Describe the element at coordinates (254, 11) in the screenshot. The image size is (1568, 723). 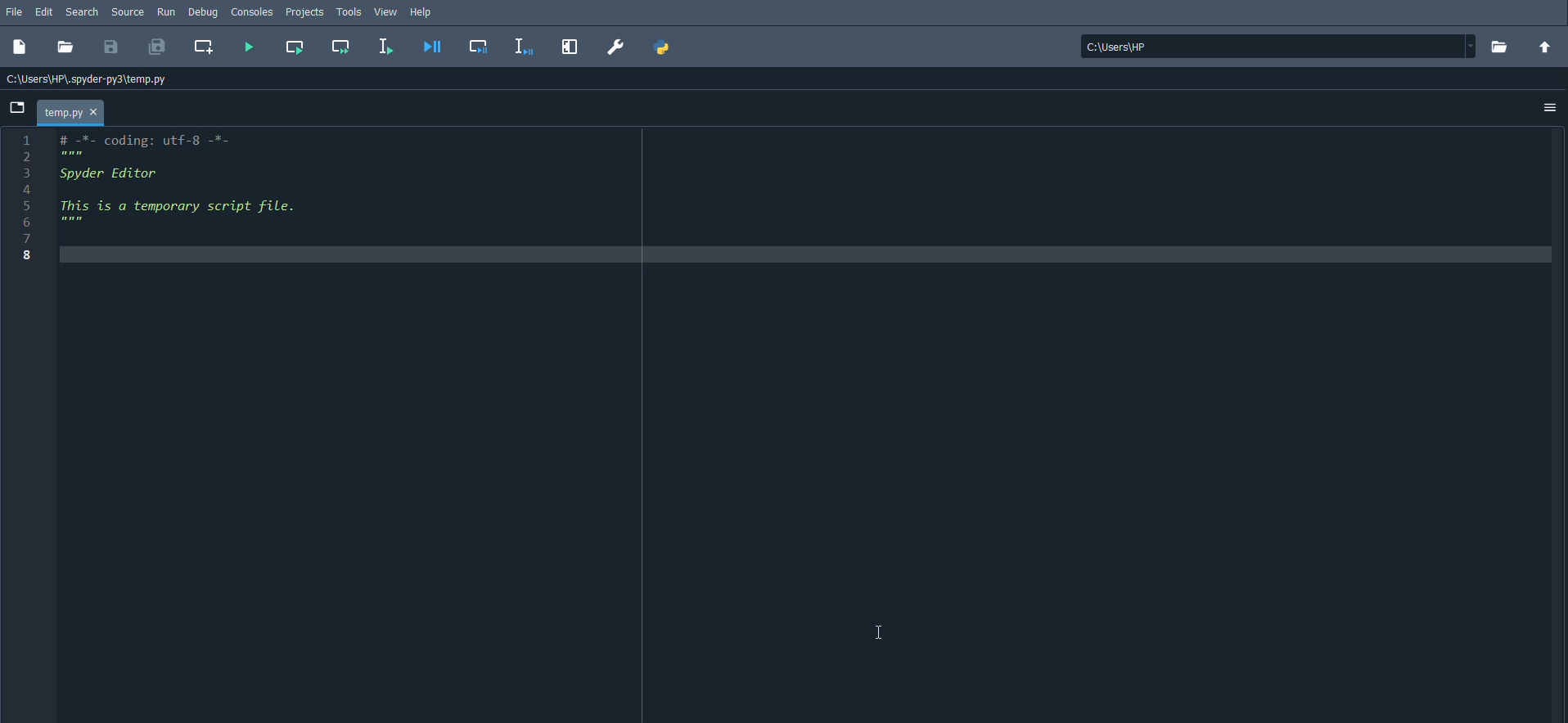
I see `Consoles` at that location.